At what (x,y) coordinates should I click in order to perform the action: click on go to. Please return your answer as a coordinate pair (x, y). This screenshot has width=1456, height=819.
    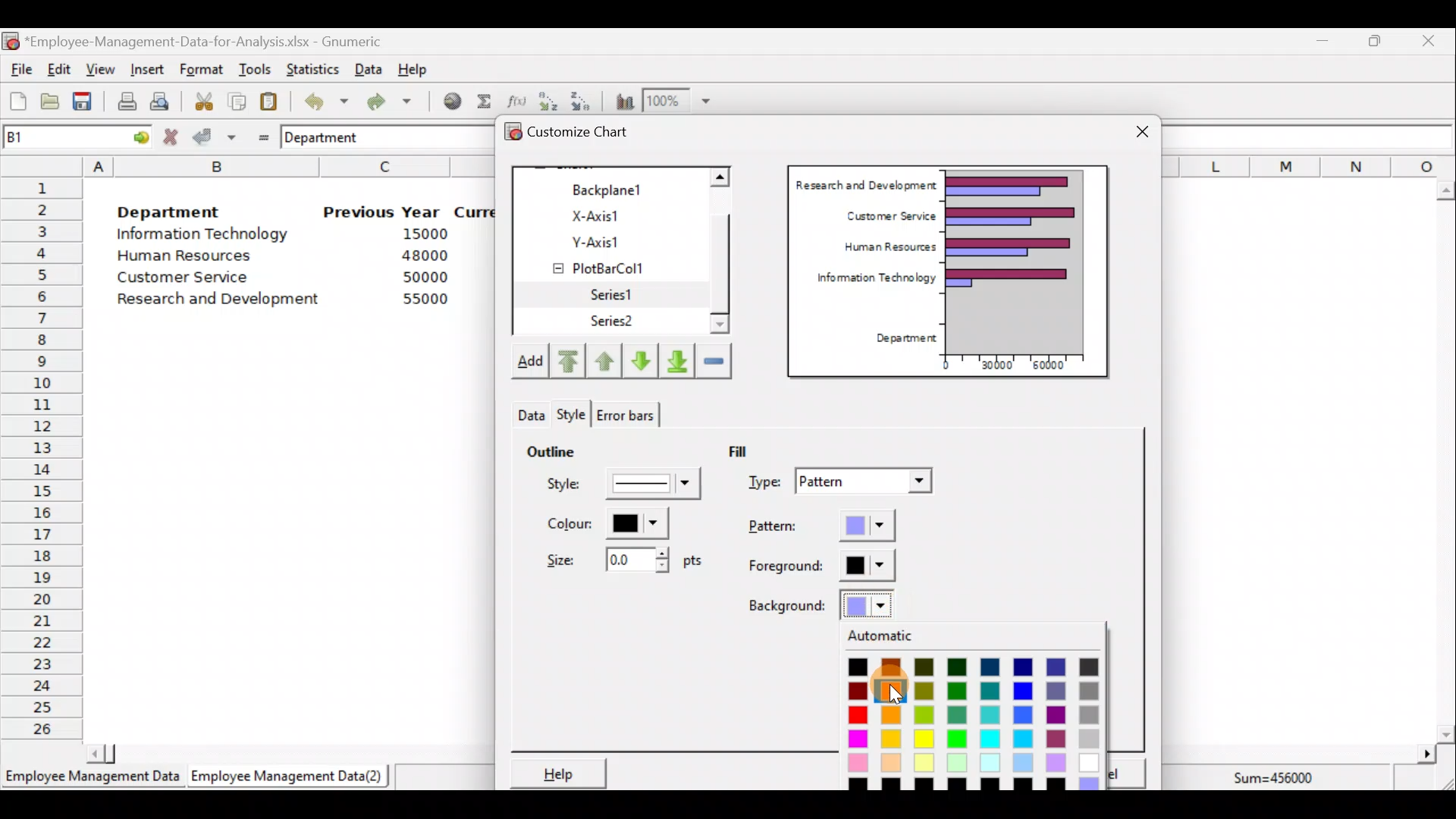
    Looking at the image, I should click on (135, 135).